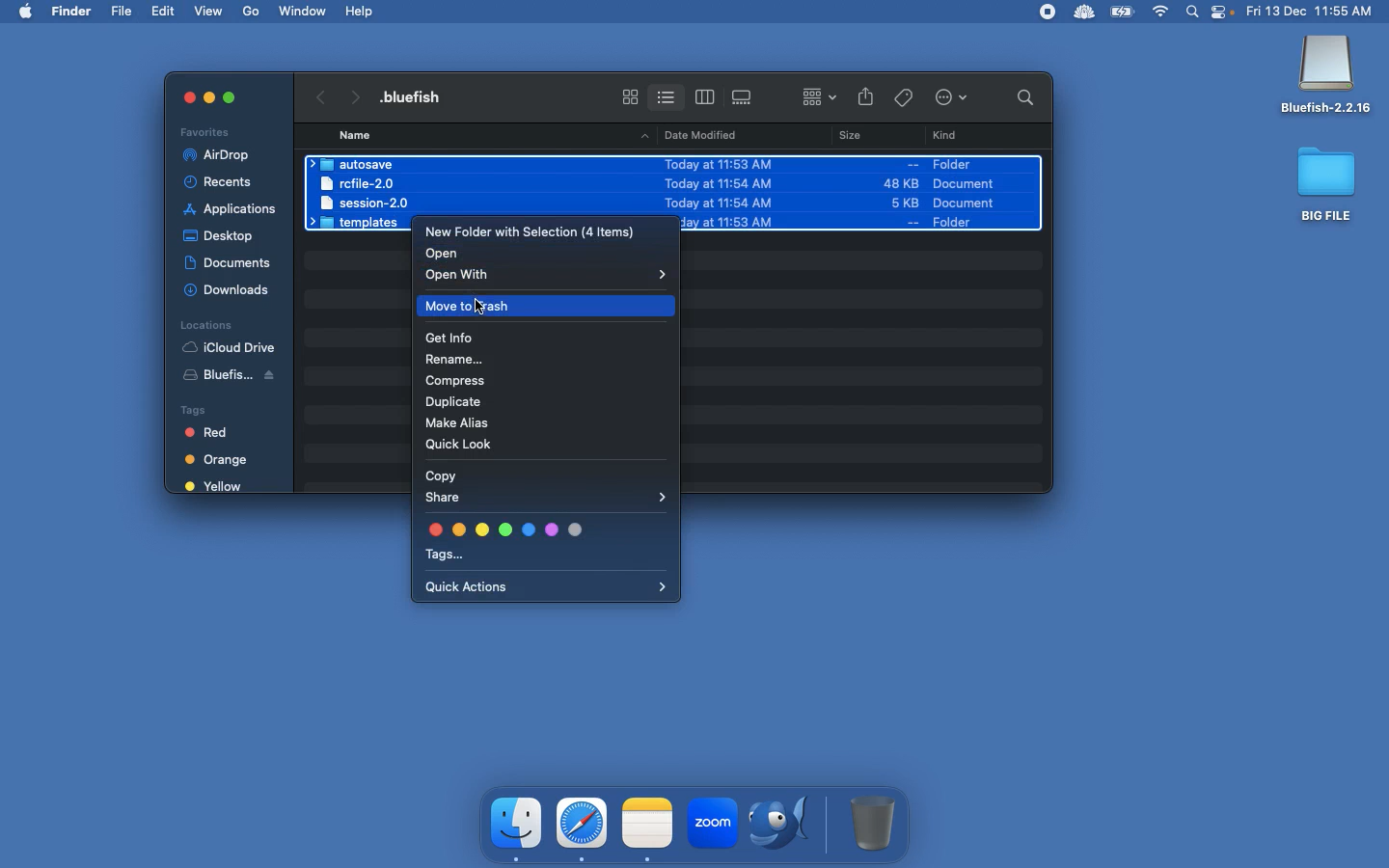  Describe the element at coordinates (221, 408) in the screenshot. I see `Tags` at that location.